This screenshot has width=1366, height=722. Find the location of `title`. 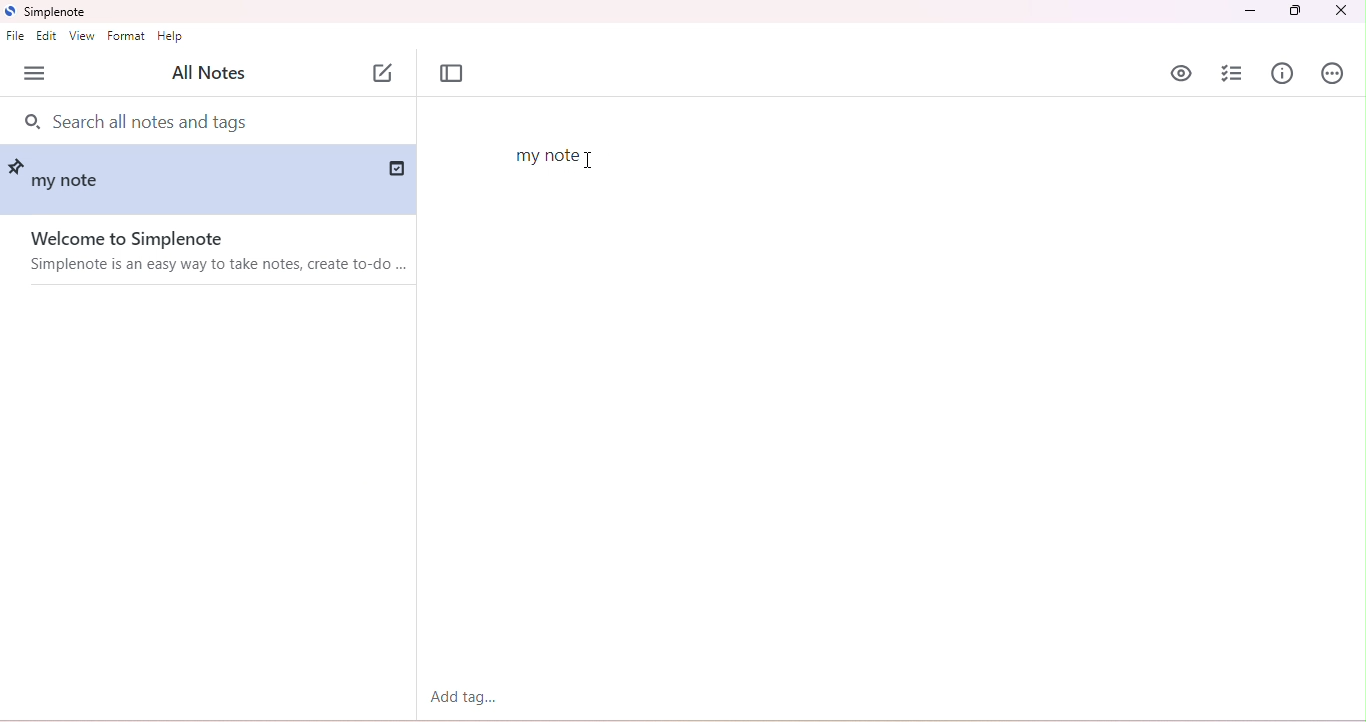

title is located at coordinates (49, 12).